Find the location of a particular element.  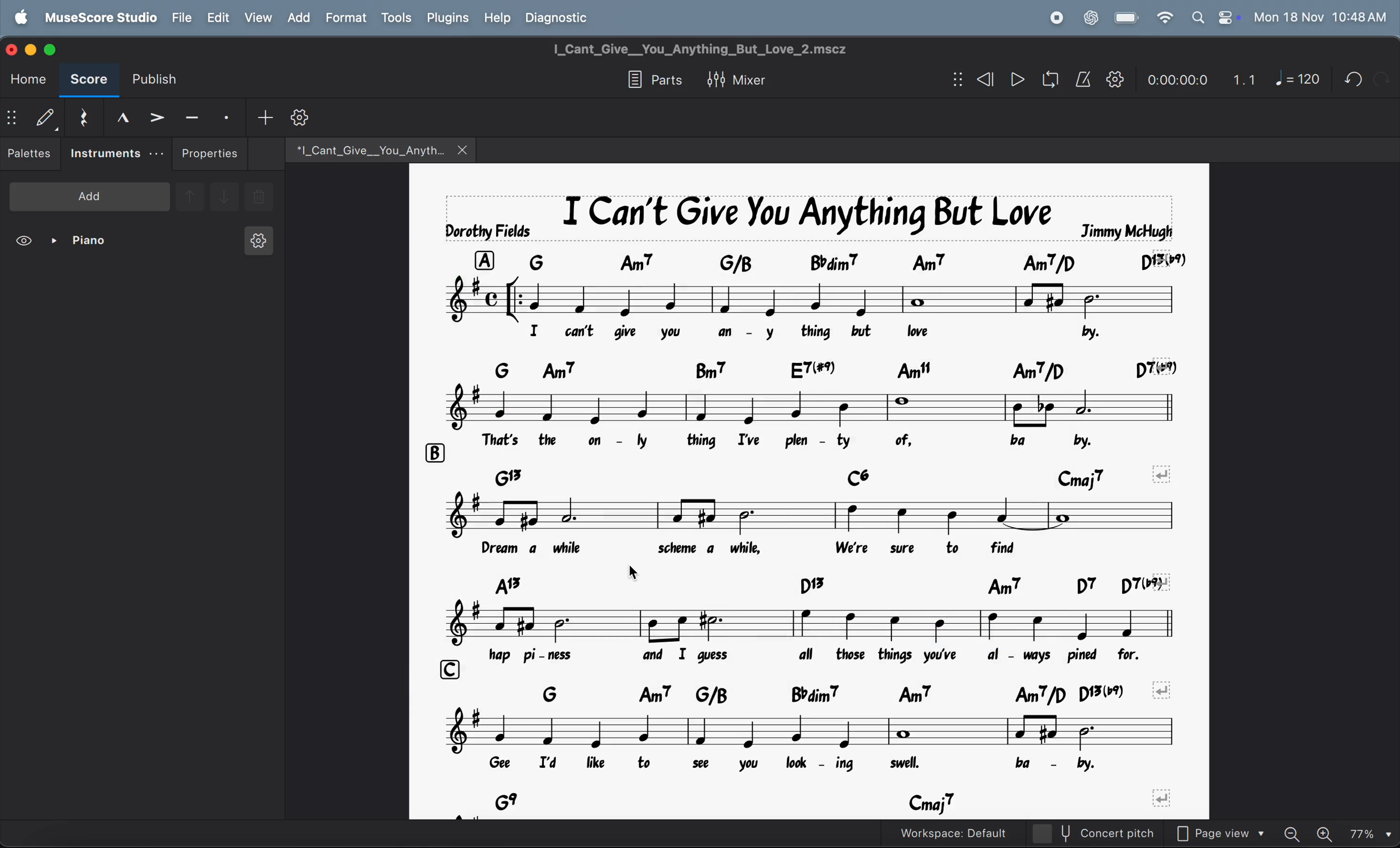

instrument settings is located at coordinates (257, 244).